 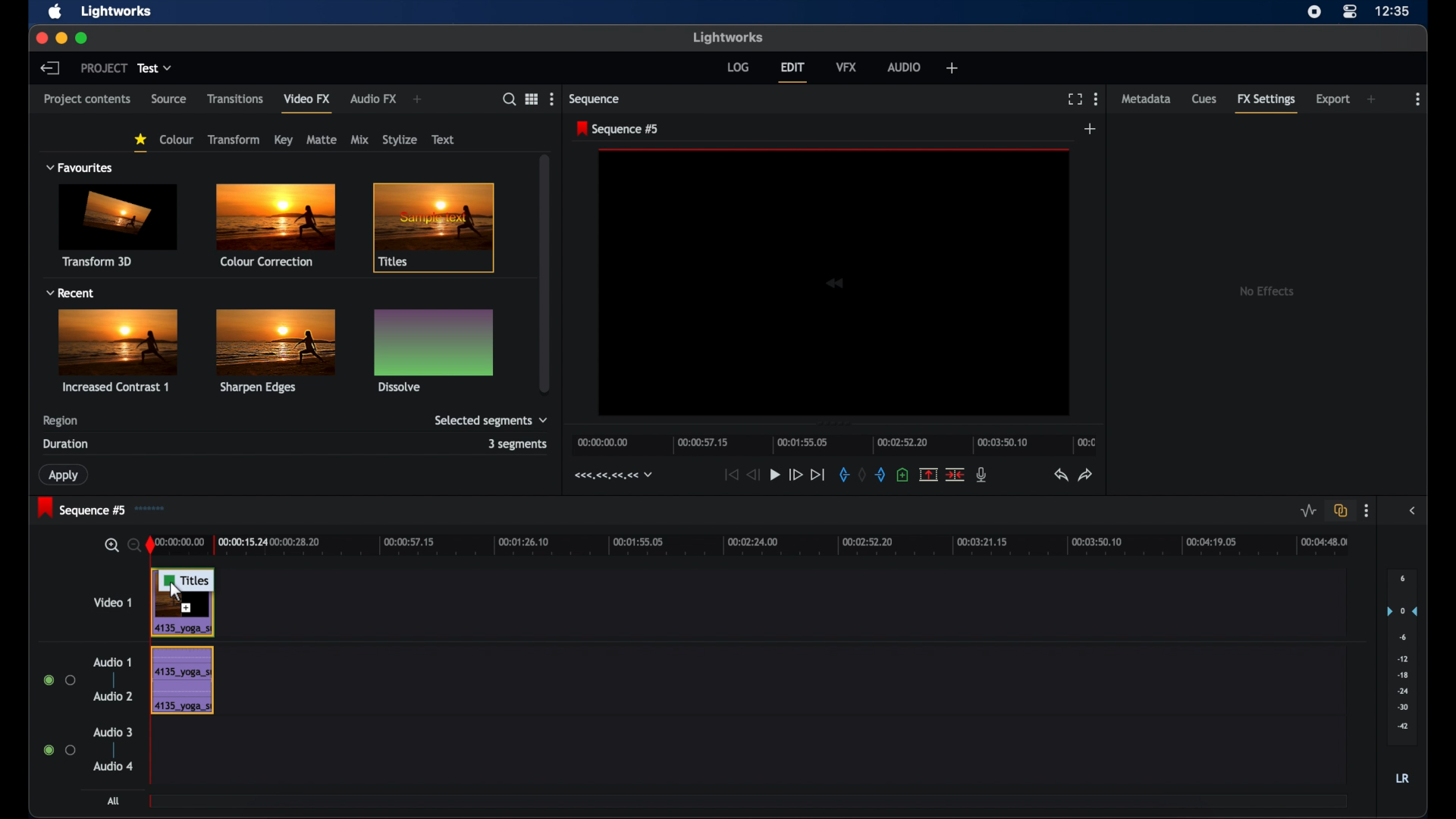 I want to click on duration, so click(x=67, y=444).